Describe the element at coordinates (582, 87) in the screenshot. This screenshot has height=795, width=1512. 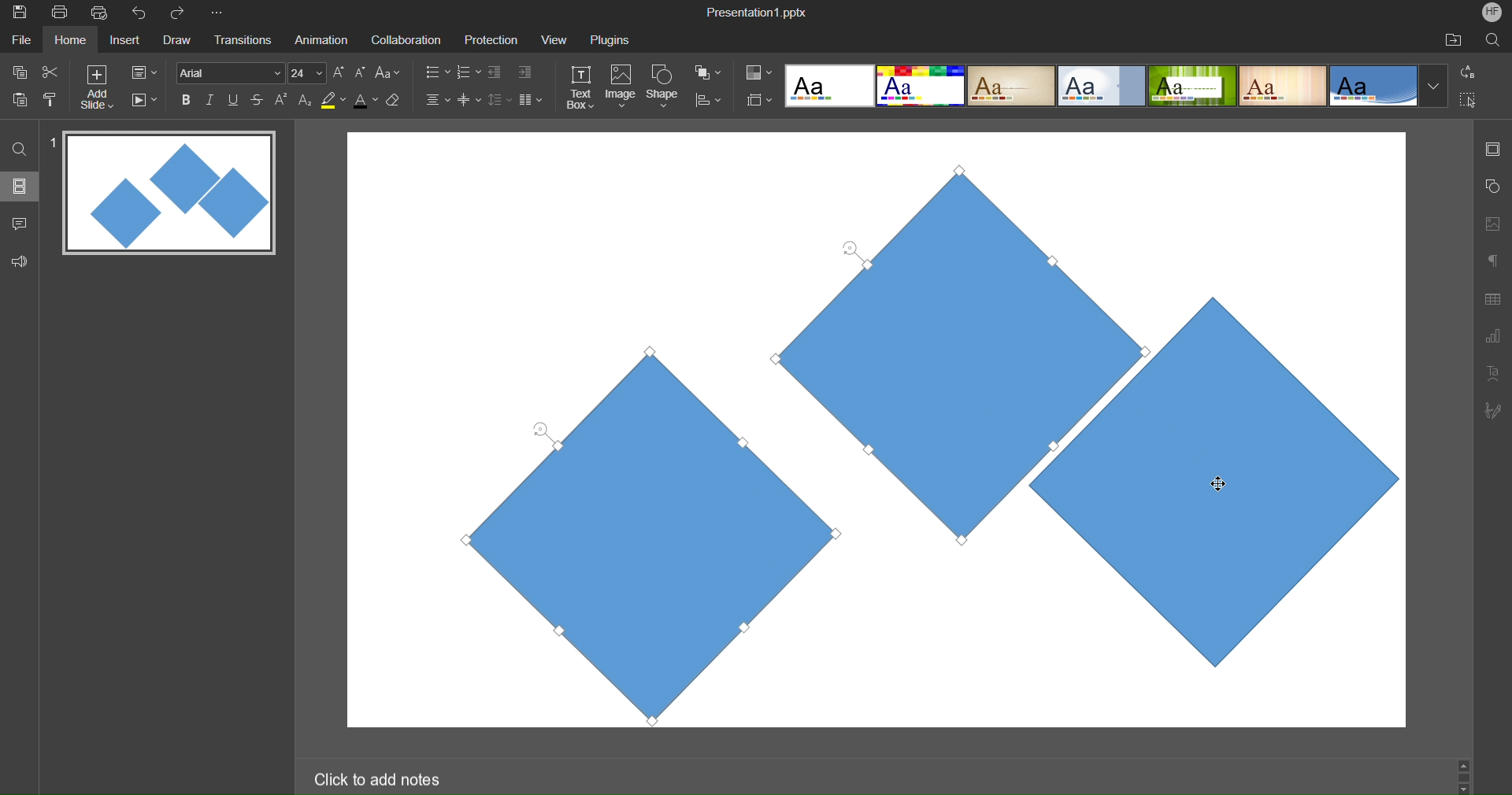
I see `Text Box` at that location.